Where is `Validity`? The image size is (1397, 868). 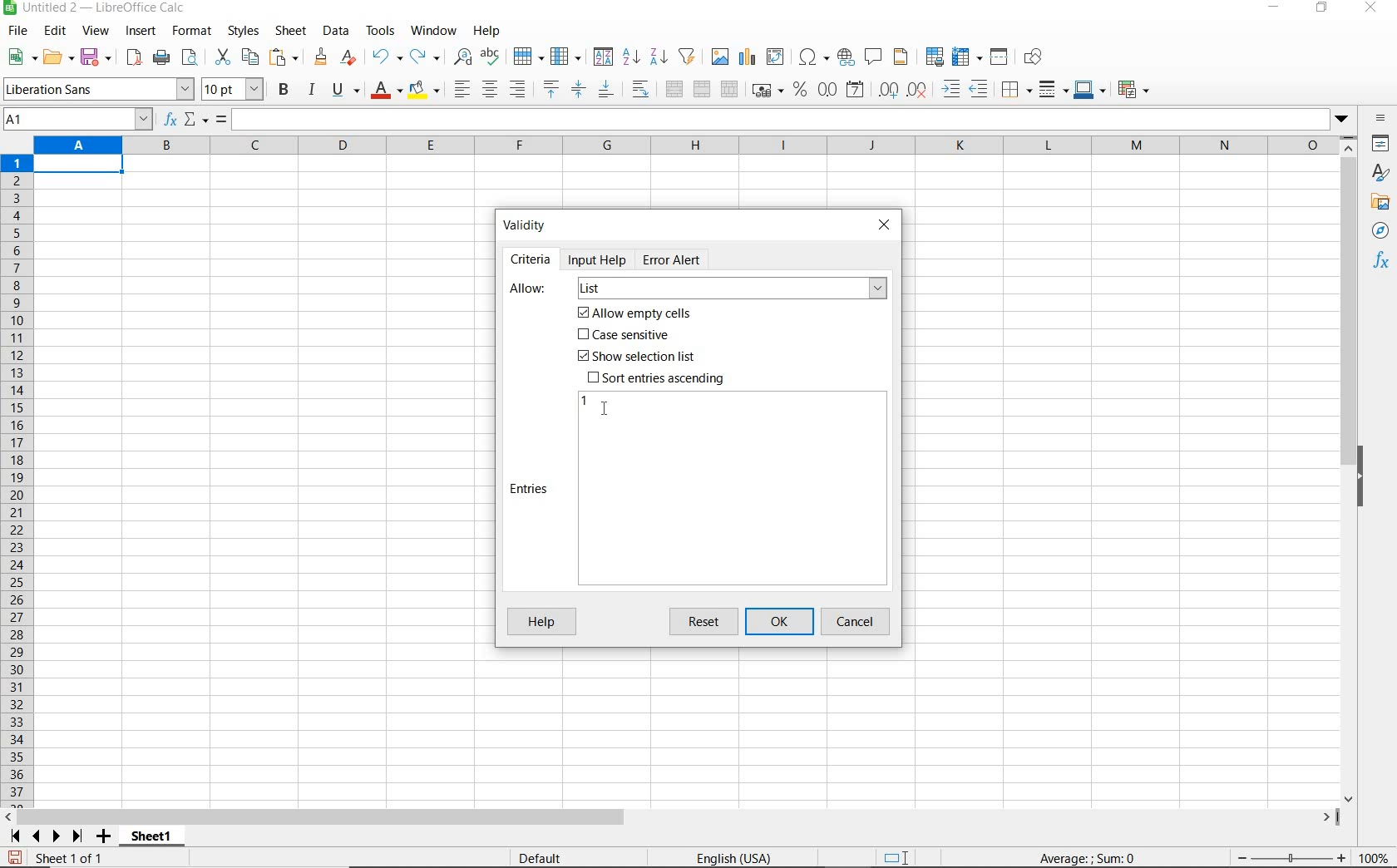 Validity is located at coordinates (526, 224).